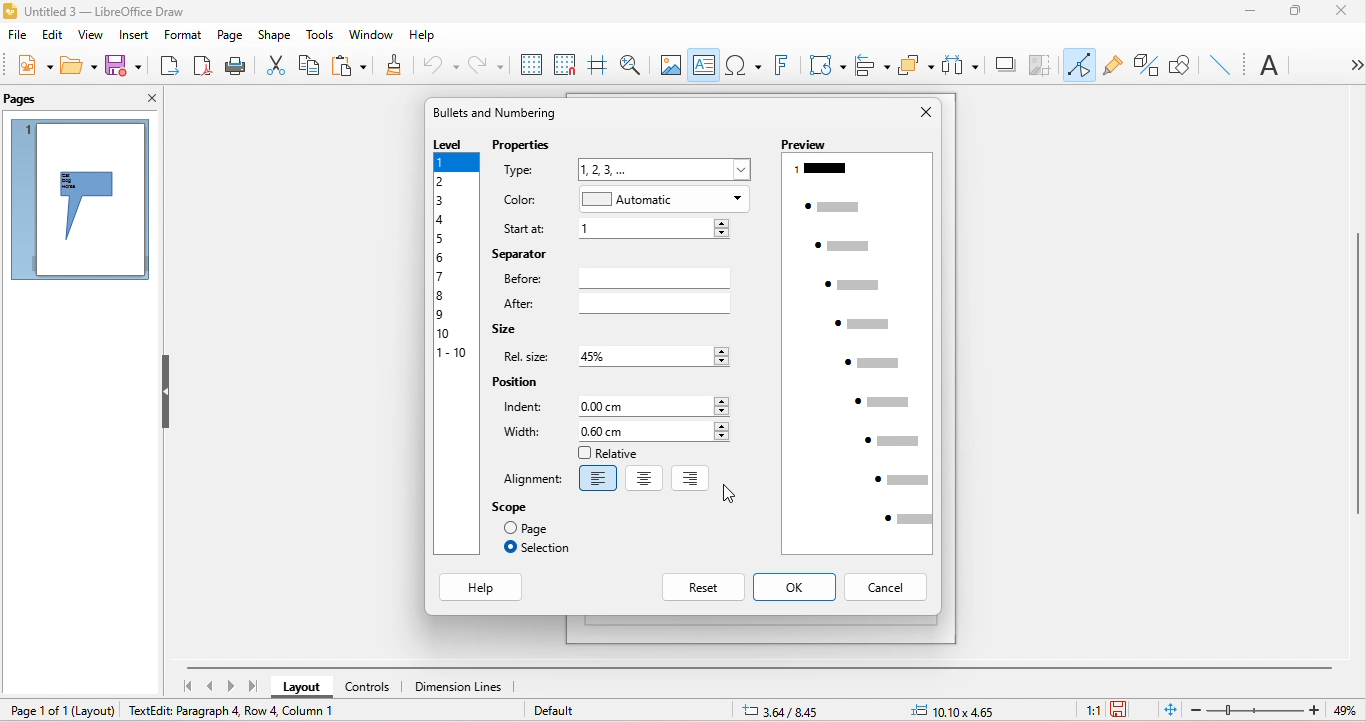  Describe the element at coordinates (1357, 377) in the screenshot. I see `vertical scroll bar` at that location.